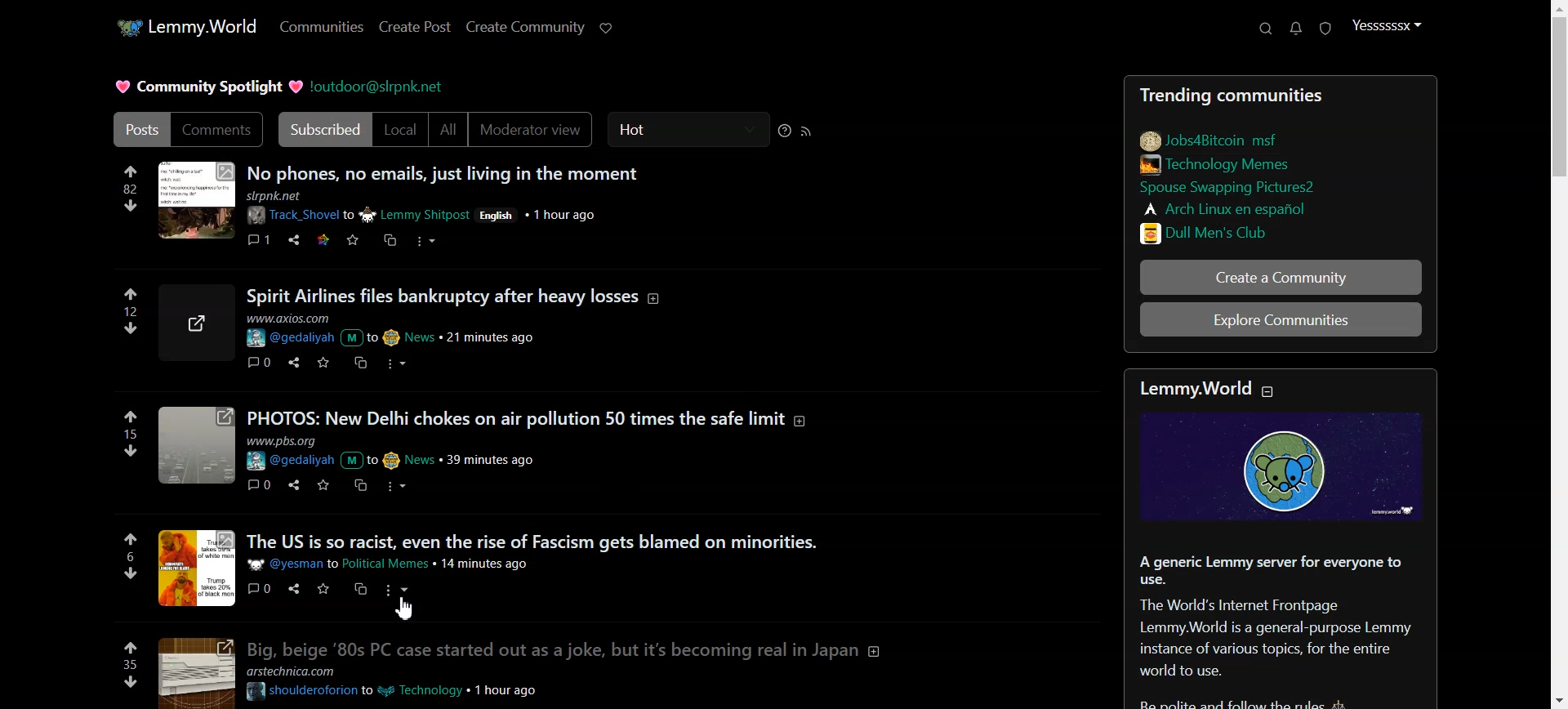 Image resolution: width=1568 pixels, height=709 pixels. Describe the element at coordinates (1229, 207) in the screenshot. I see `link` at that location.